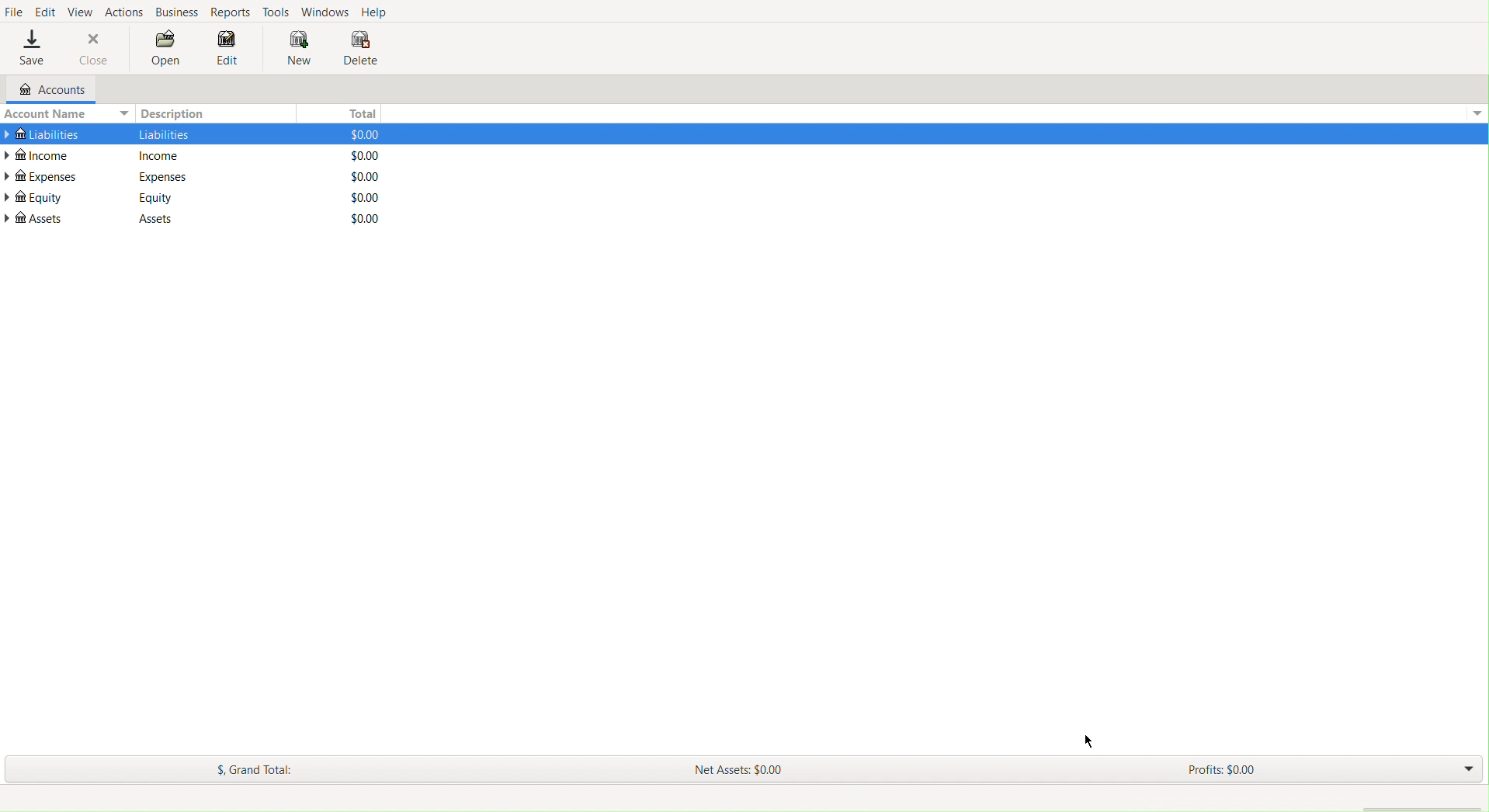 The height and width of the screenshot is (812, 1489). I want to click on Business, so click(177, 12).